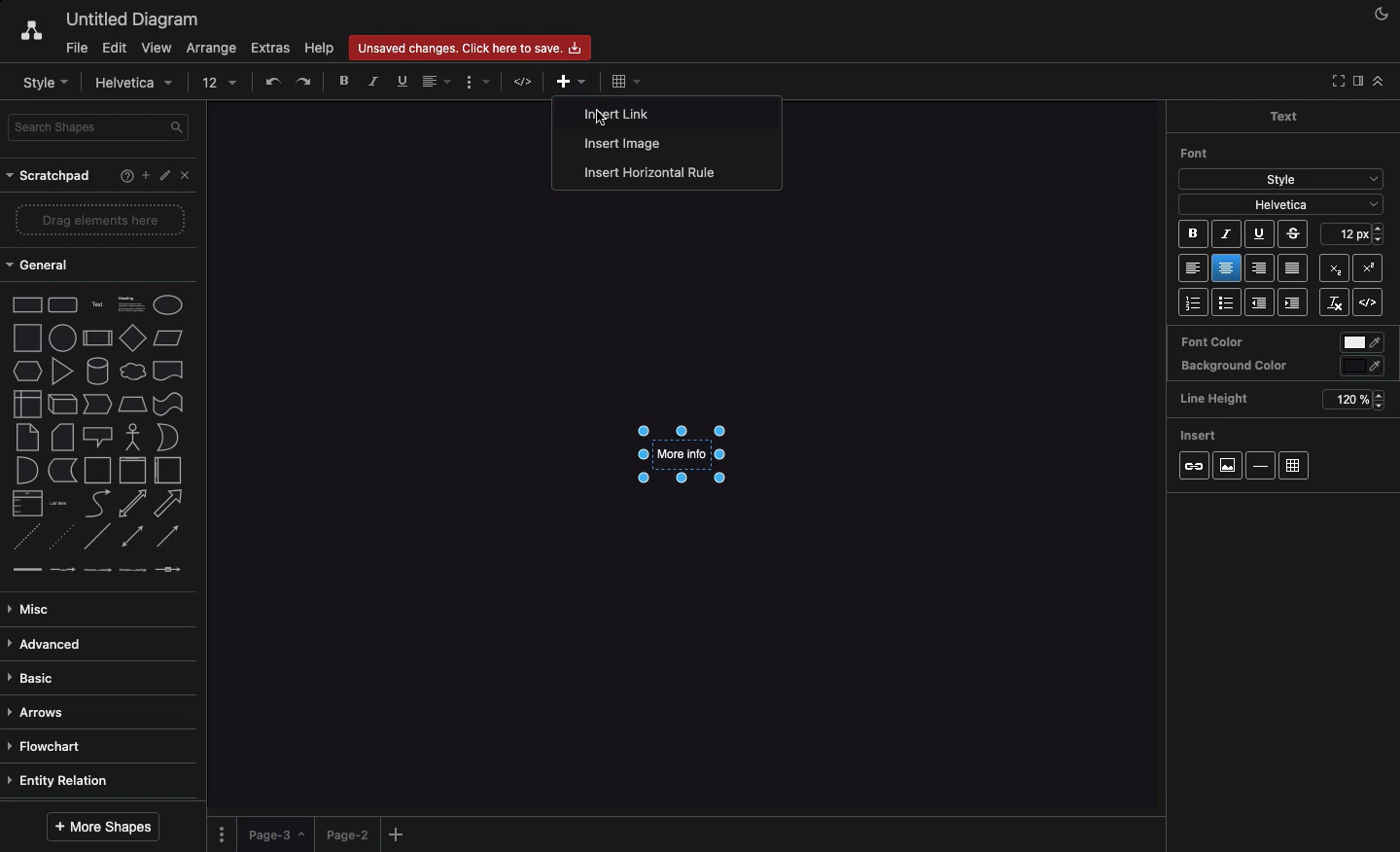 The height and width of the screenshot is (852, 1400). I want to click on Line height, so click(1221, 396).